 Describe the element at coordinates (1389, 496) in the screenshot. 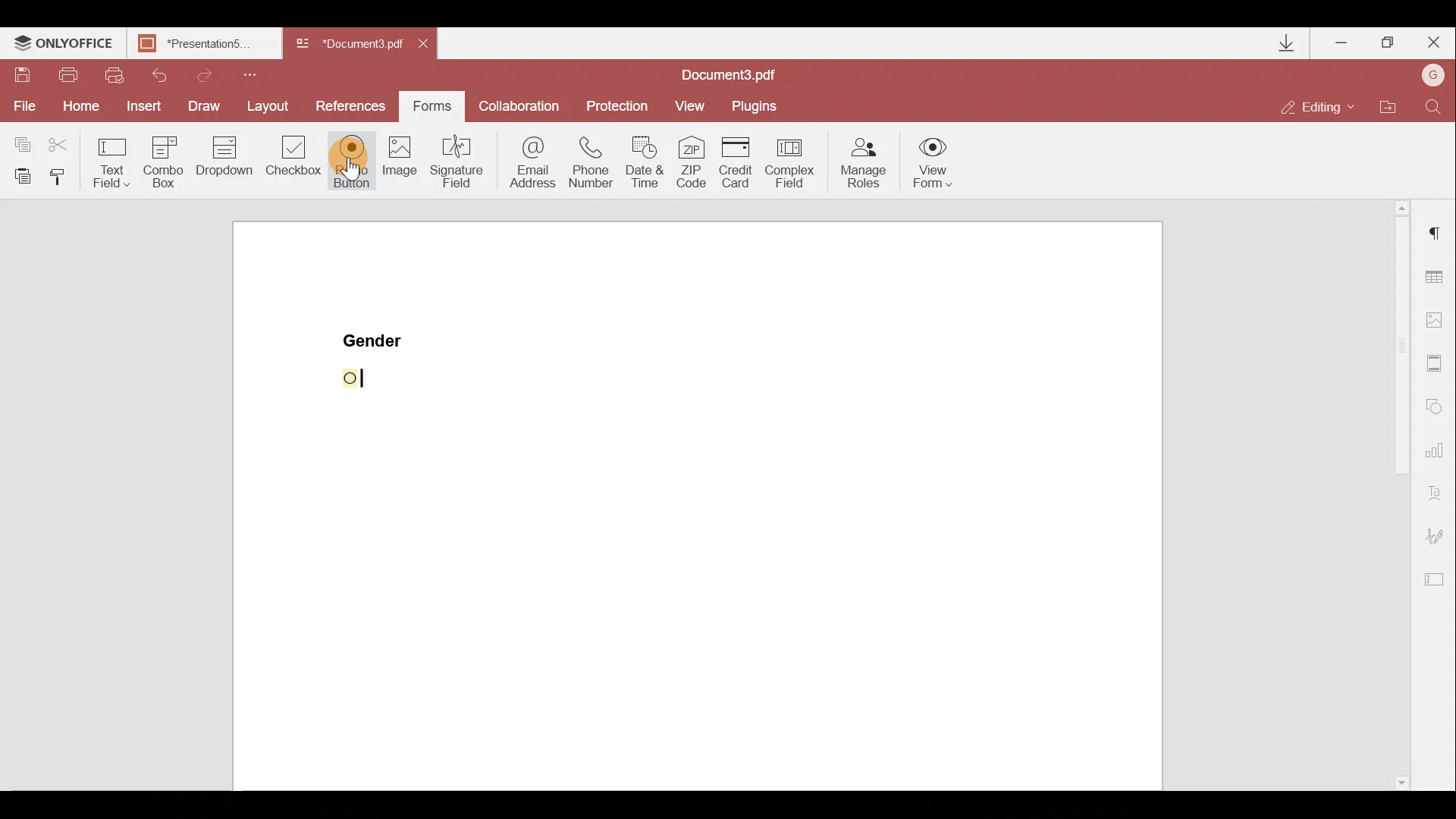

I see `Scroll bar` at that location.